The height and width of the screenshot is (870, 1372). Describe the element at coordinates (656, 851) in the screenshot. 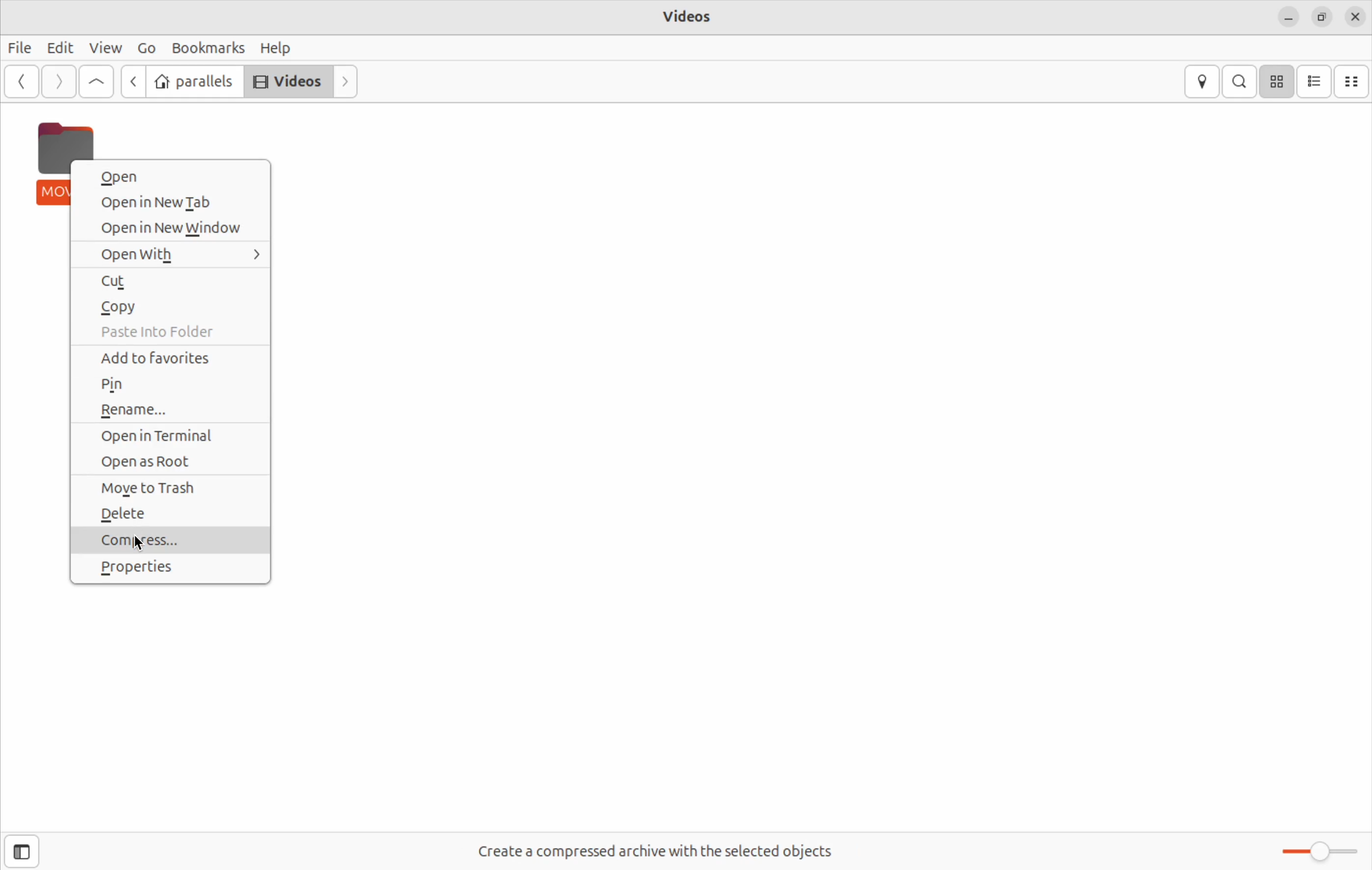

I see `free spaces` at that location.